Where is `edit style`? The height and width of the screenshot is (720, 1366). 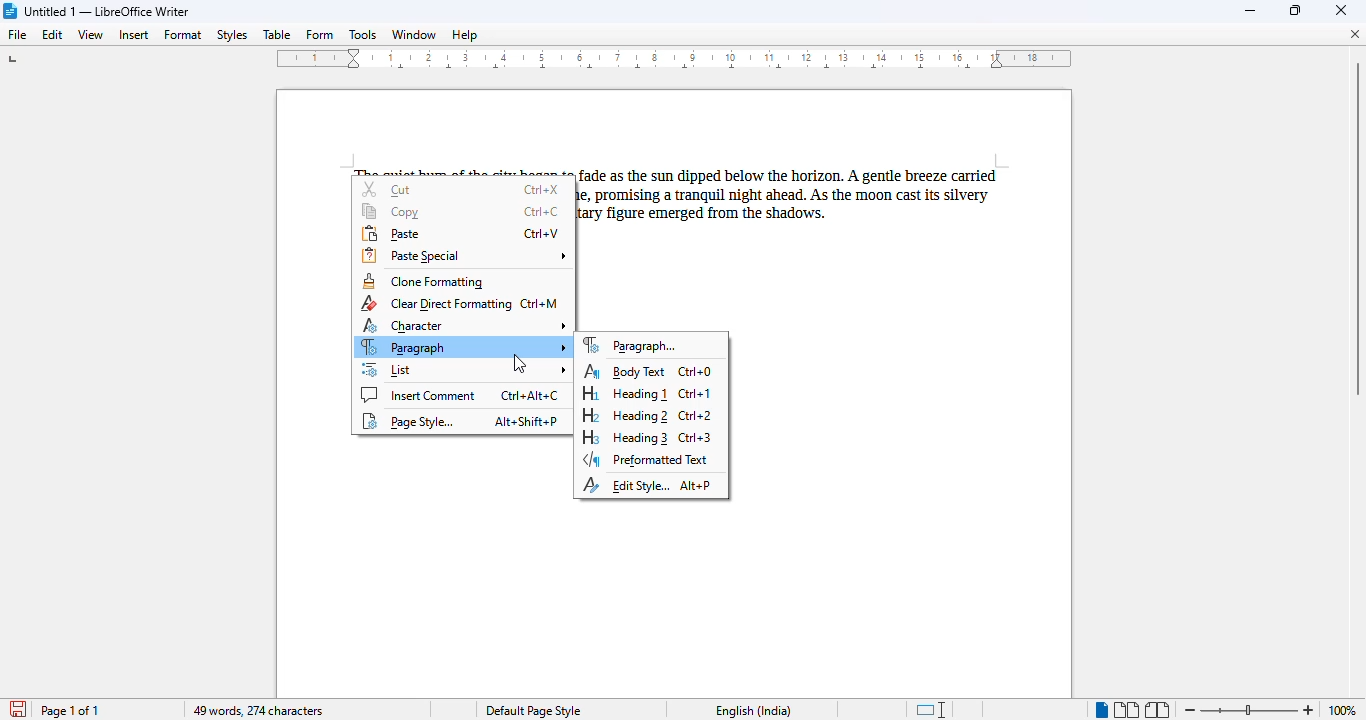 edit style is located at coordinates (647, 485).